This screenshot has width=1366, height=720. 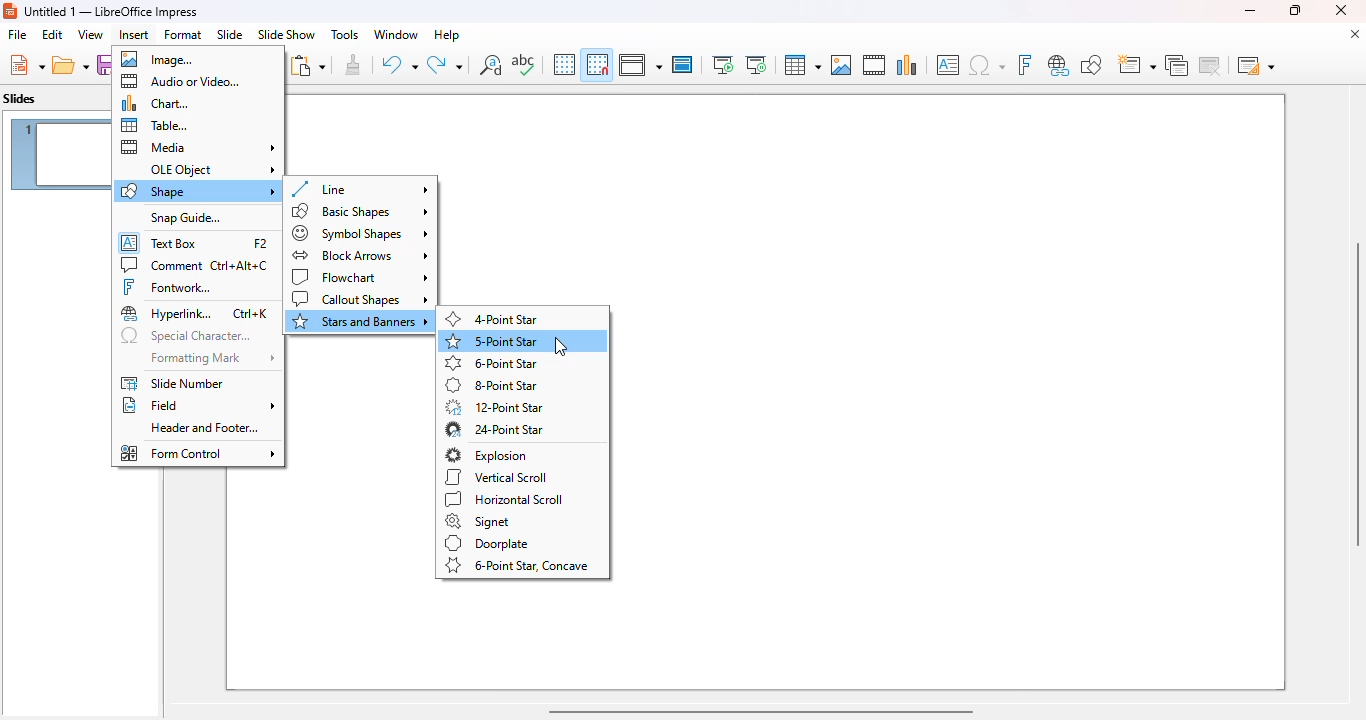 What do you see at coordinates (157, 59) in the screenshot?
I see `image` at bounding box center [157, 59].